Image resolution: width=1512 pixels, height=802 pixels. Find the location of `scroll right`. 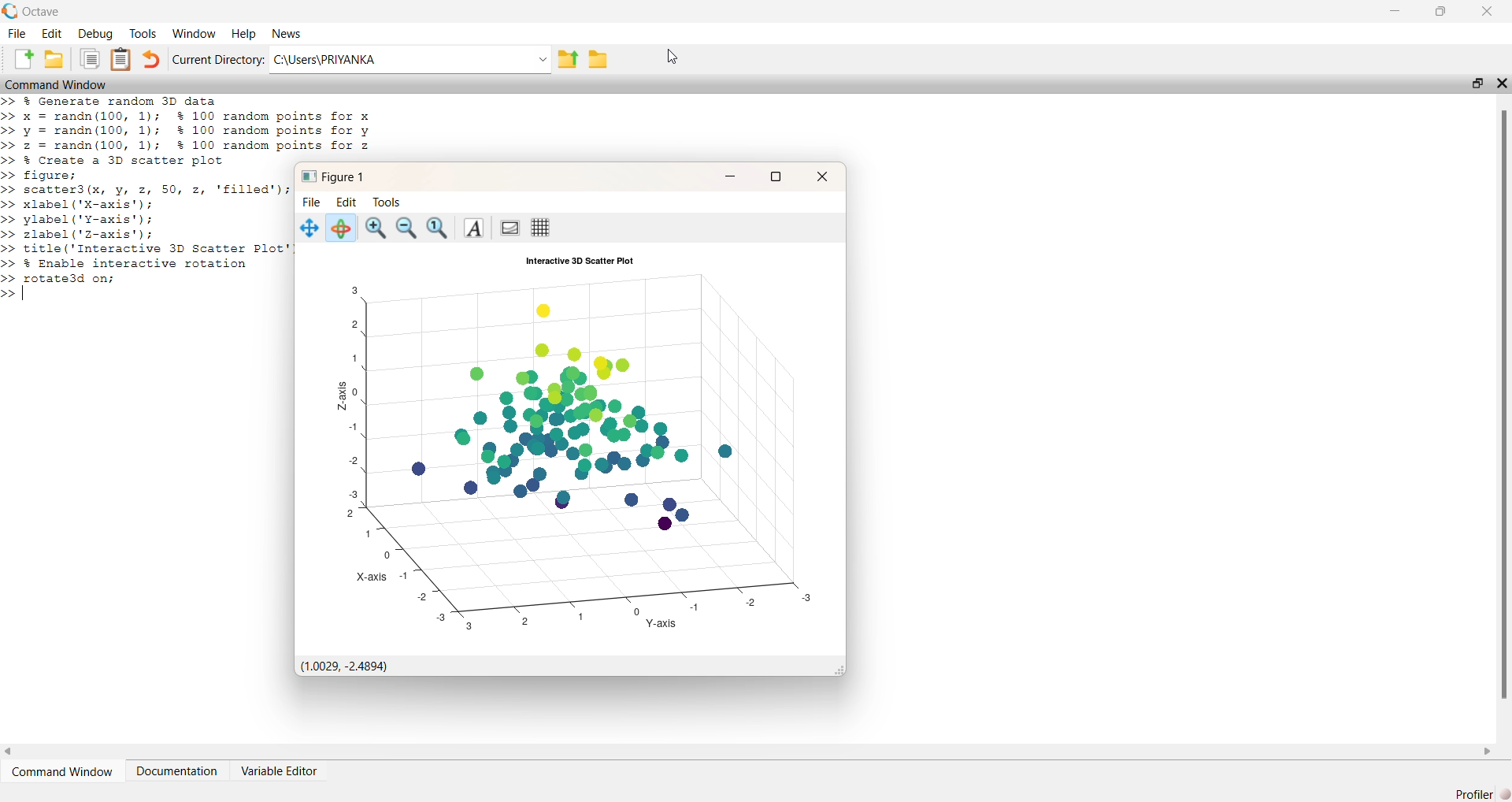

scroll right is located at coordinates (1487, 752).